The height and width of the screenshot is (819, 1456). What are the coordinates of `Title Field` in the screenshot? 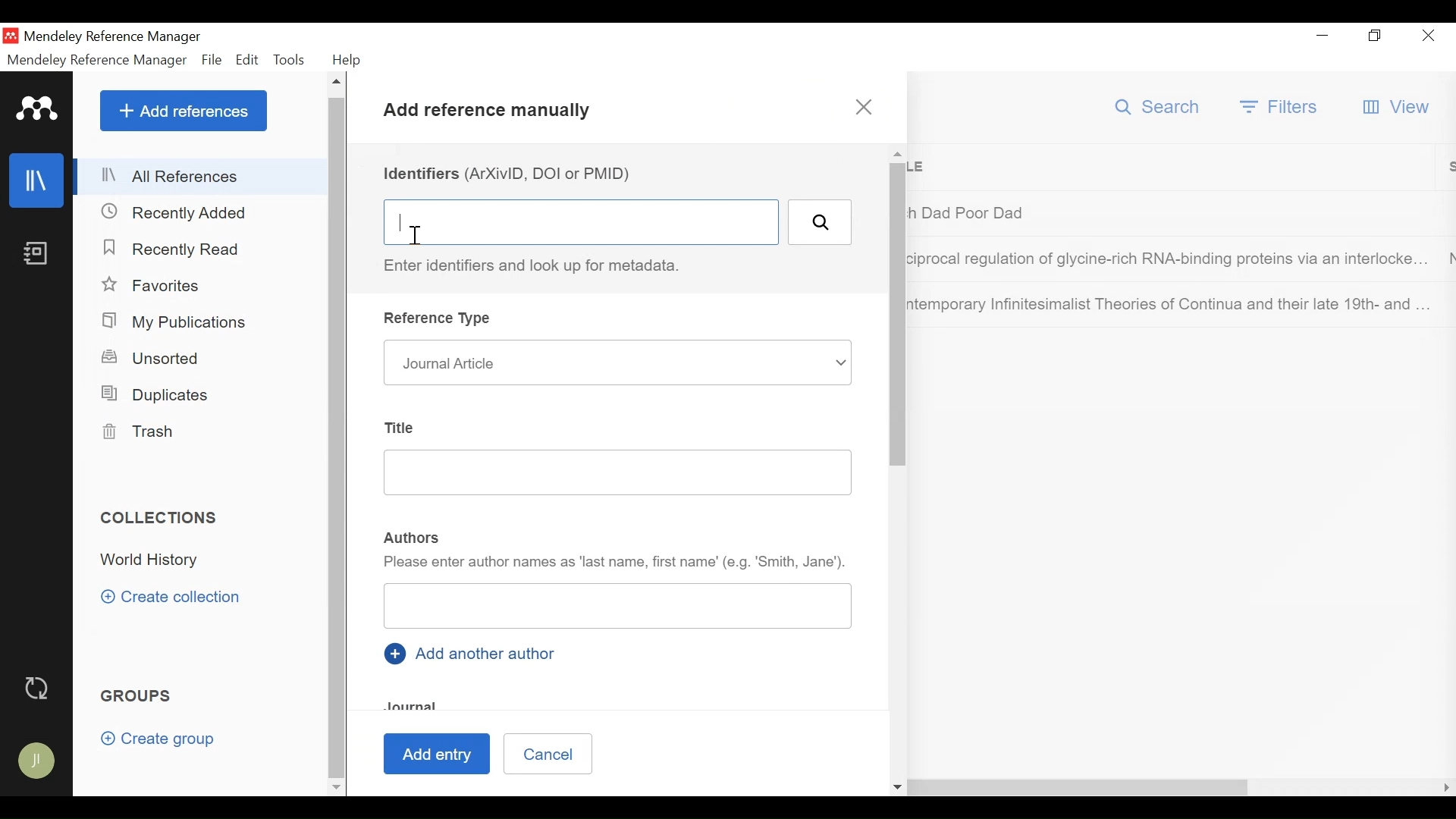 It's located at (618, 472).